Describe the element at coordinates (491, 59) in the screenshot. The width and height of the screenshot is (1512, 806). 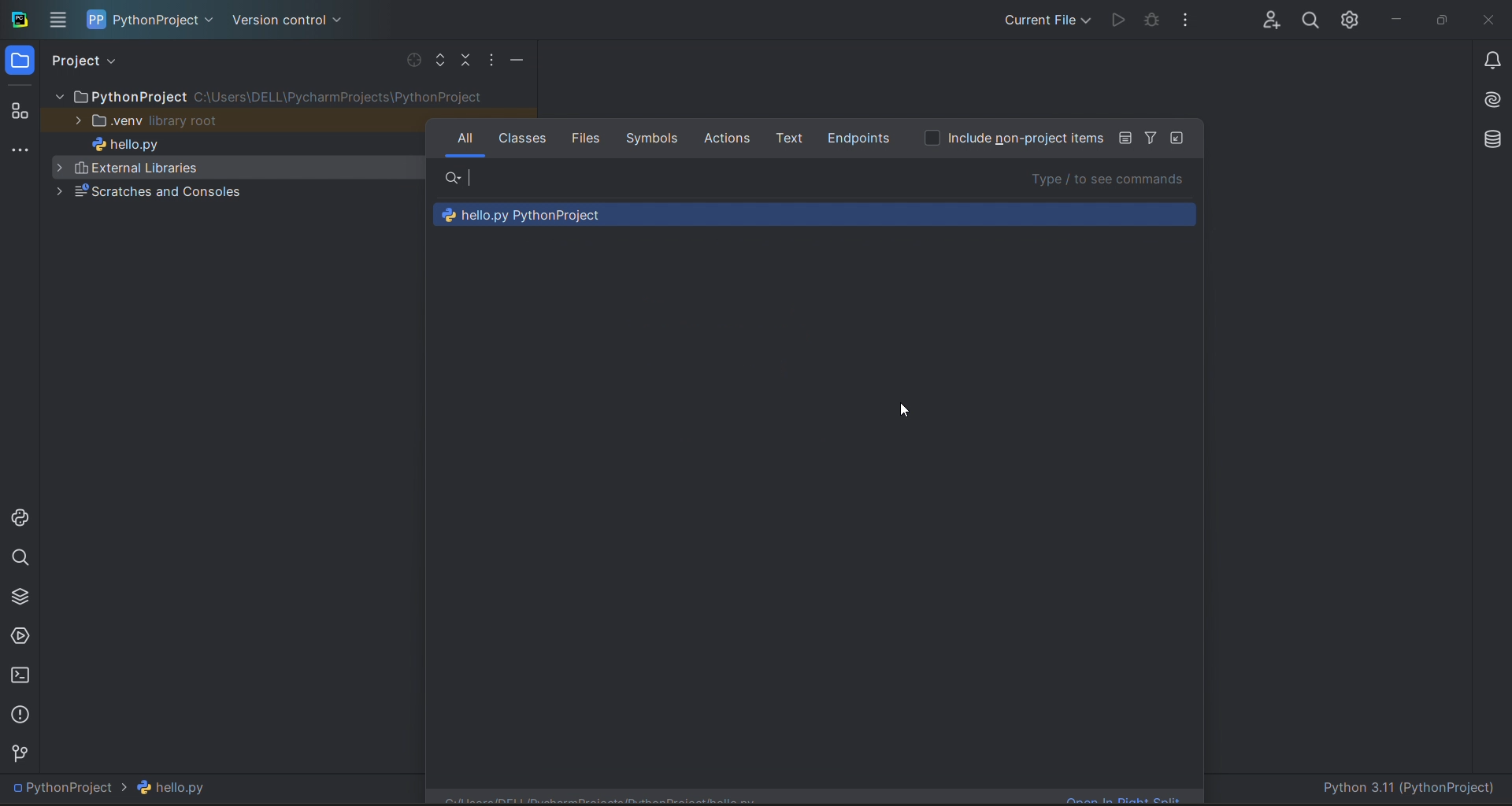
I see `options` at that location.